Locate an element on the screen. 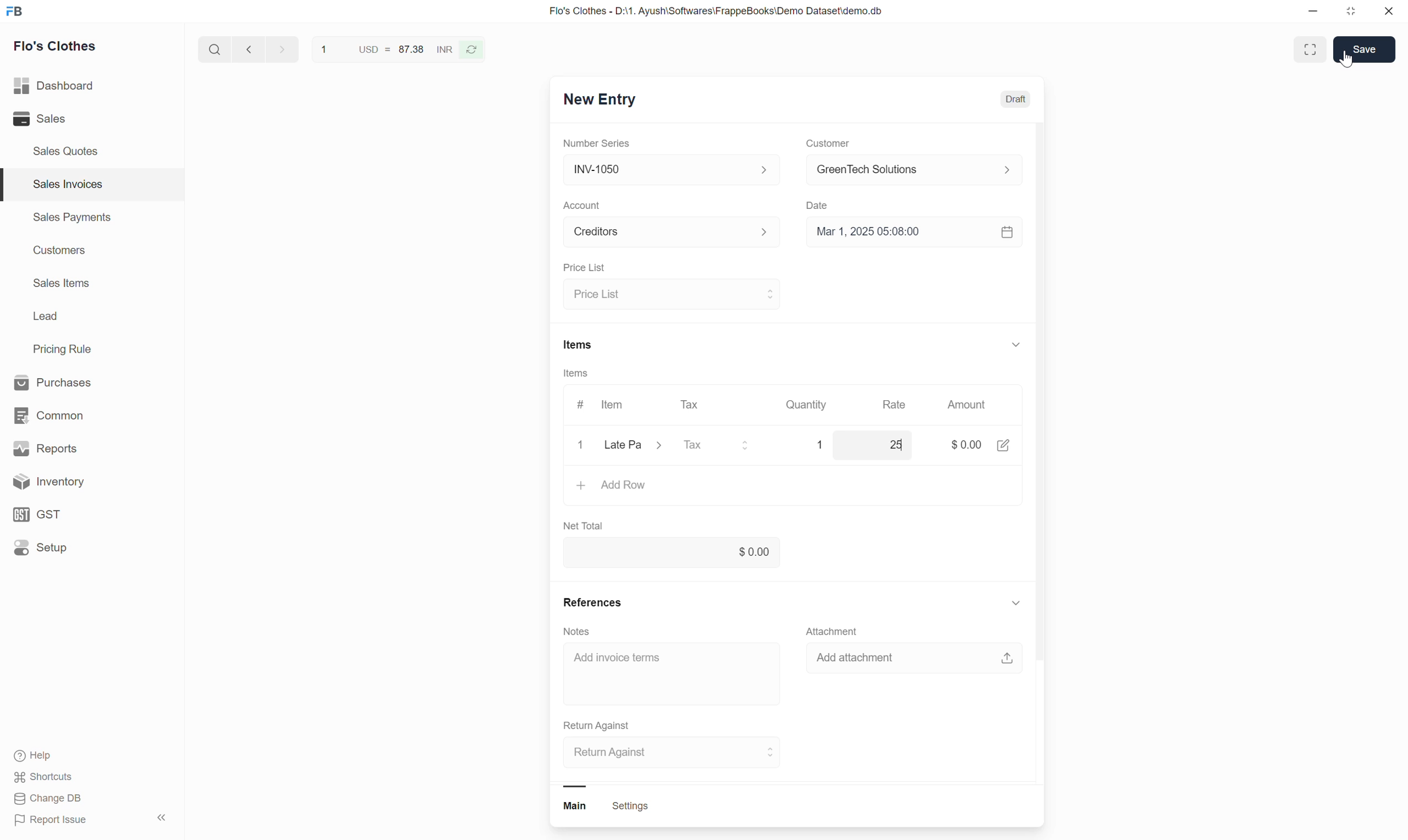 The width and height of the screenshot is (1408, 840). Rate is located at coordinates (896, 406).